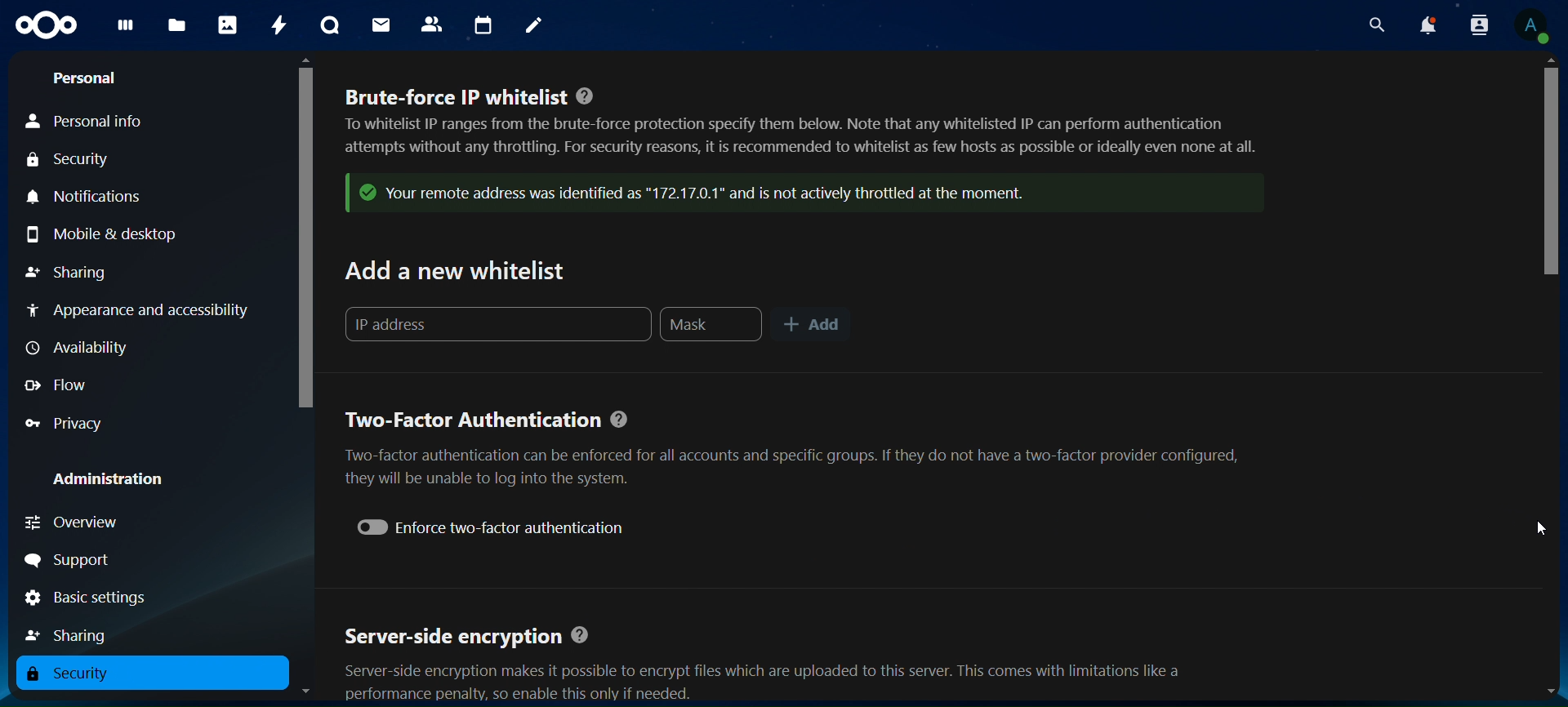  I want to click on mobile & desktop, so click(109, 233).